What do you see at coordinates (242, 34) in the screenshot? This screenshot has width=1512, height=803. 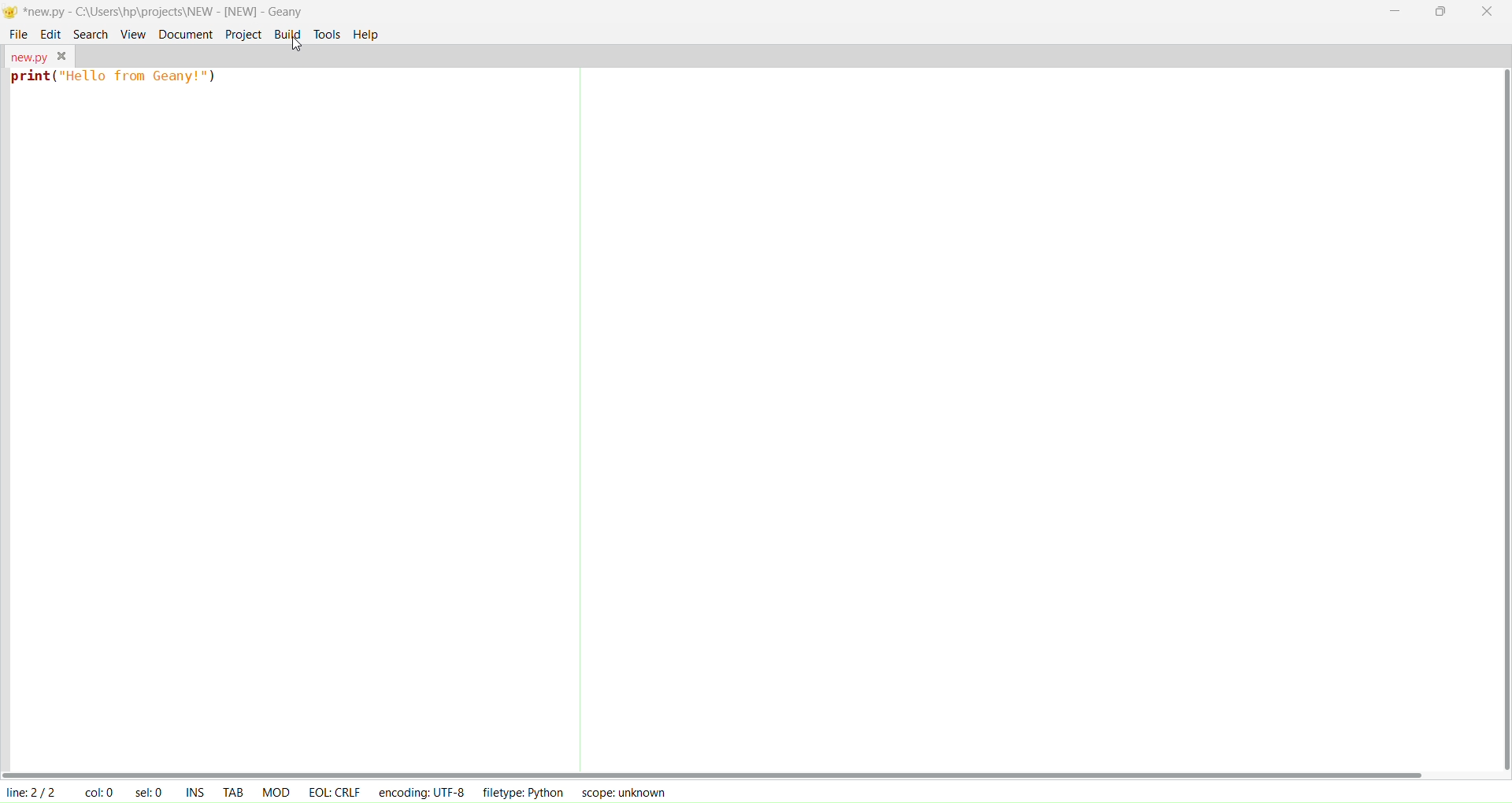 I see `project` at bounding box center [242, 34].